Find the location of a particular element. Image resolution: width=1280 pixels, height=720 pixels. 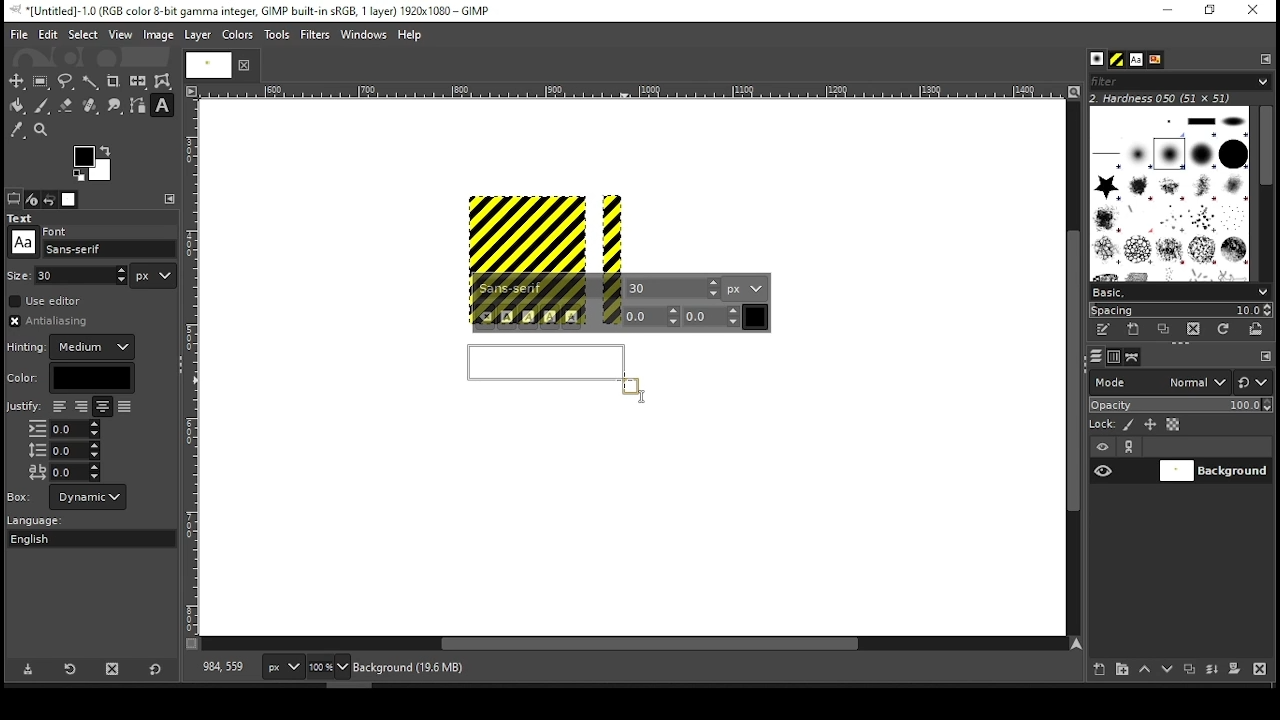

font is located at coordinates (549, 289).